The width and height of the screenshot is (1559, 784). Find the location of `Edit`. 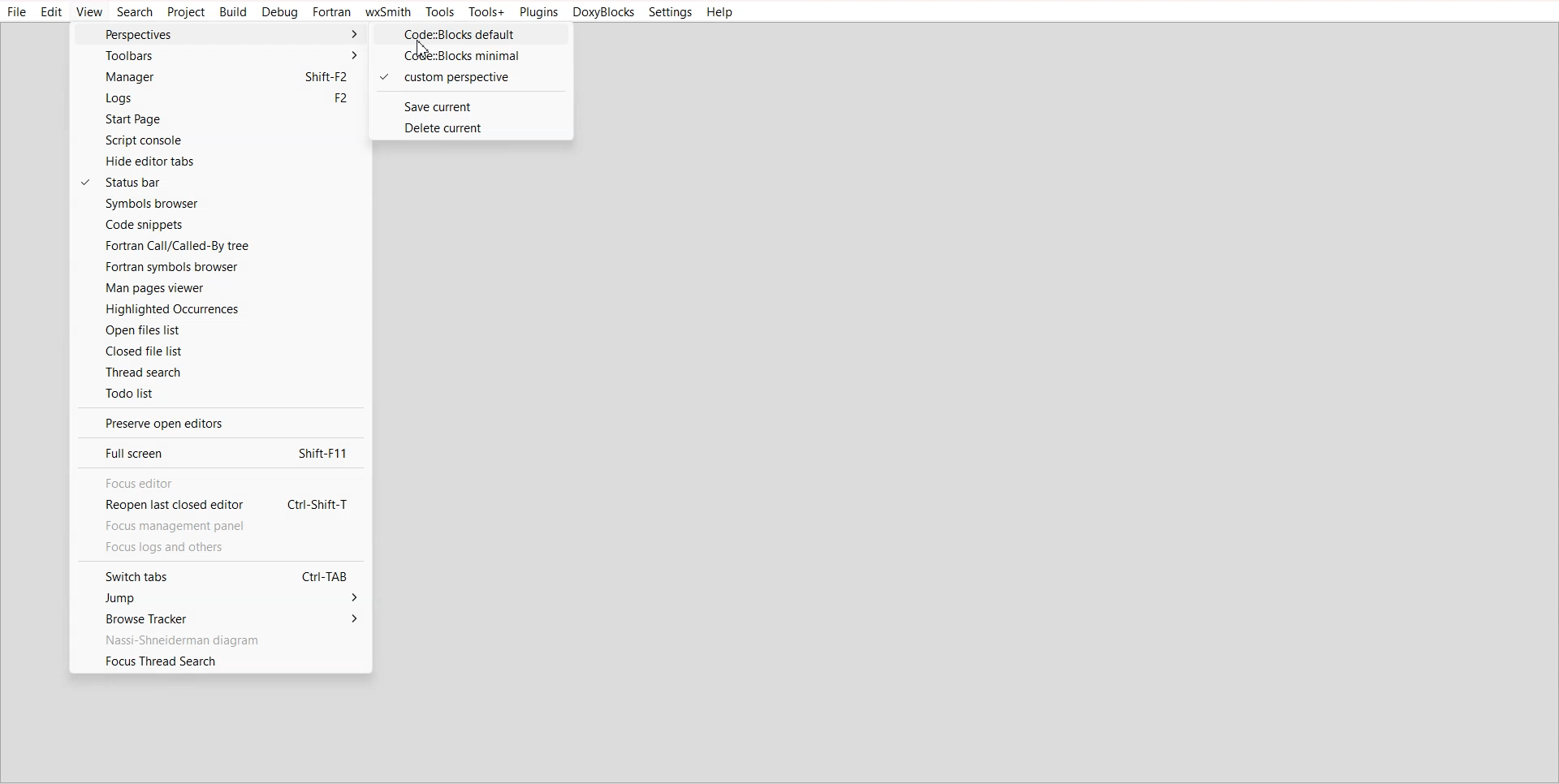

Edit is located at coordinates (52, 12).